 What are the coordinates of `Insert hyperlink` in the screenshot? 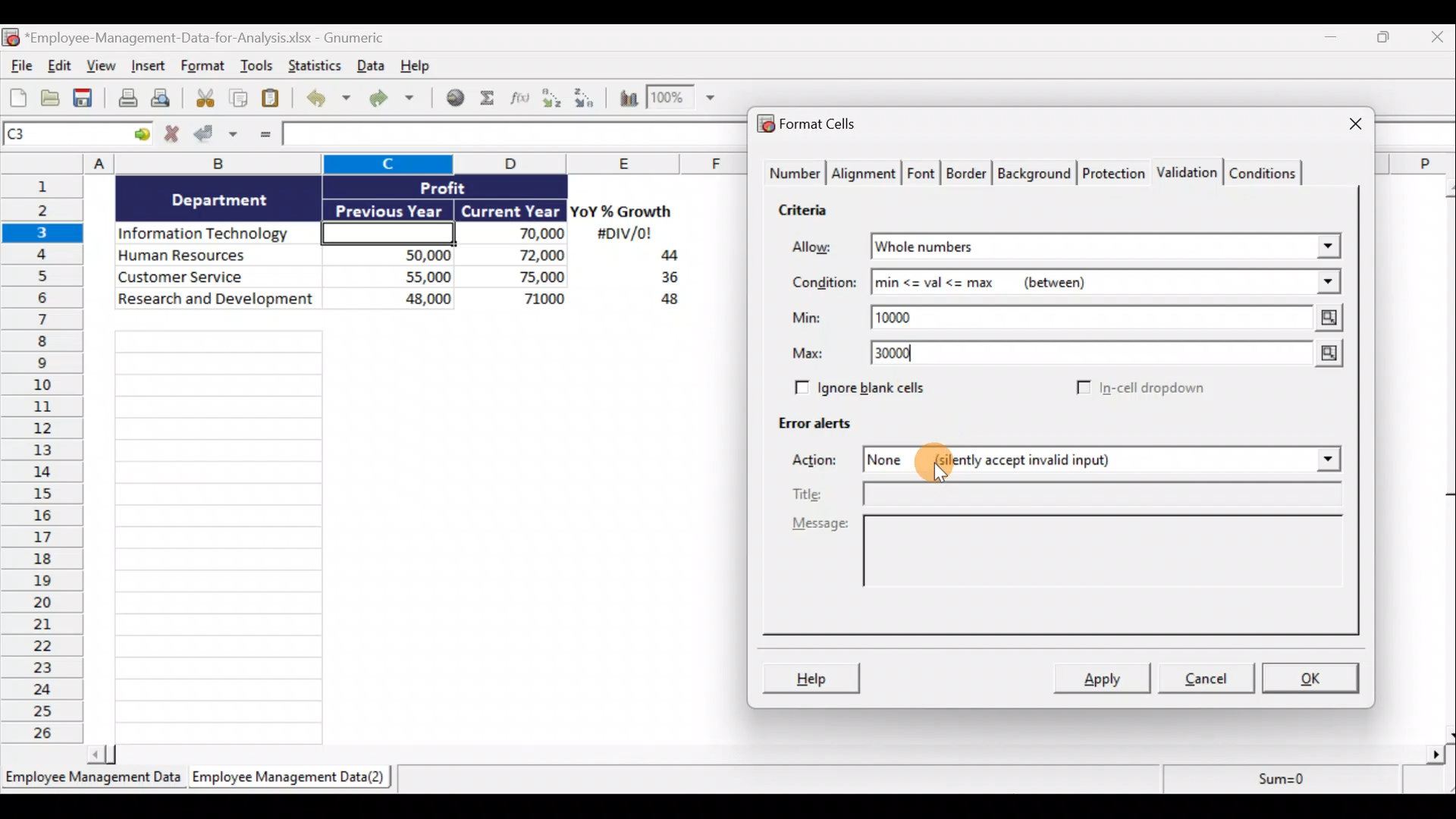 It's located at (457, 98).